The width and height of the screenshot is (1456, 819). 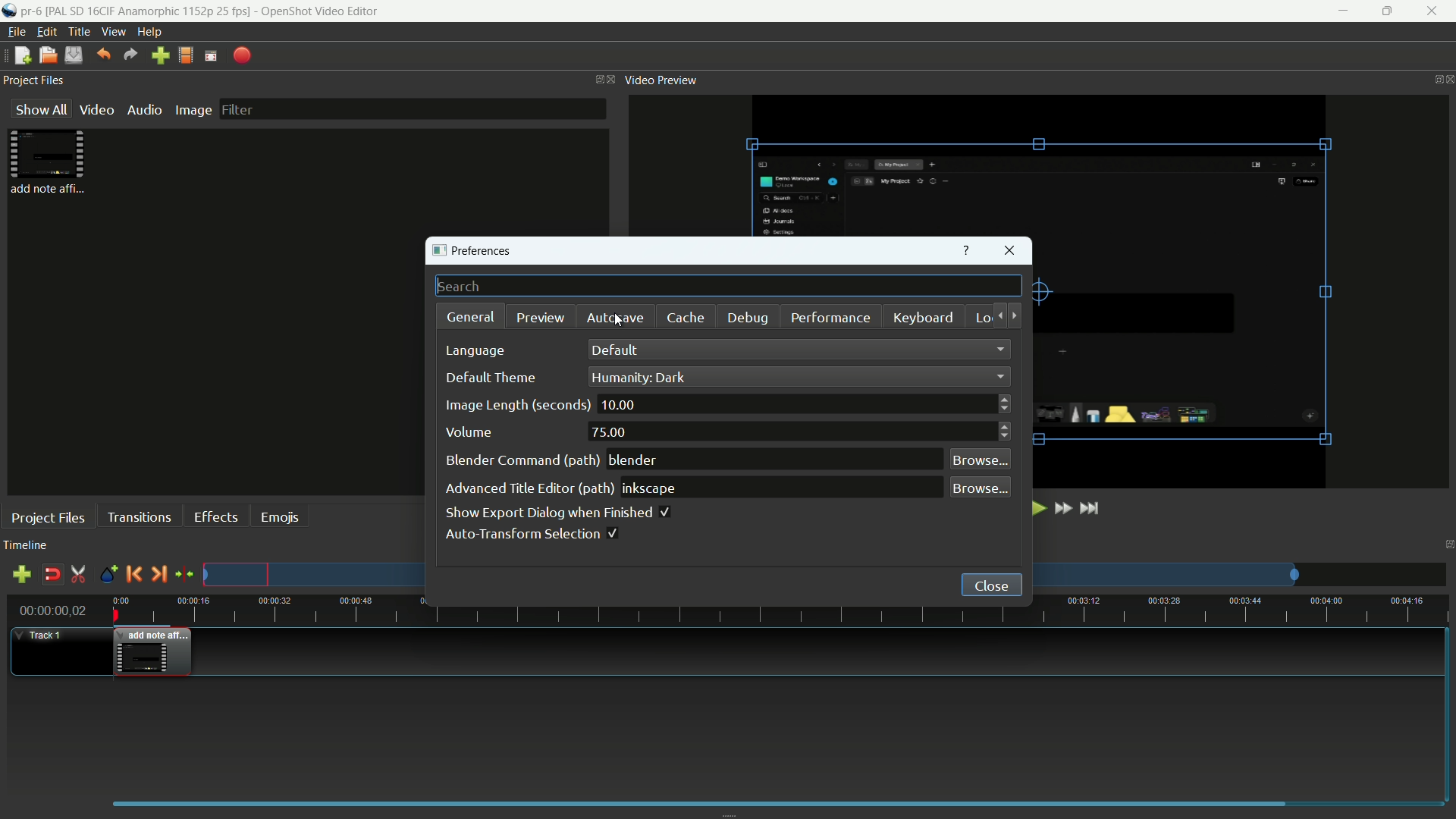 What do you see at coordinates (31, 11) in the screenshot?
I see `project name` at bounding box center [31, 11].